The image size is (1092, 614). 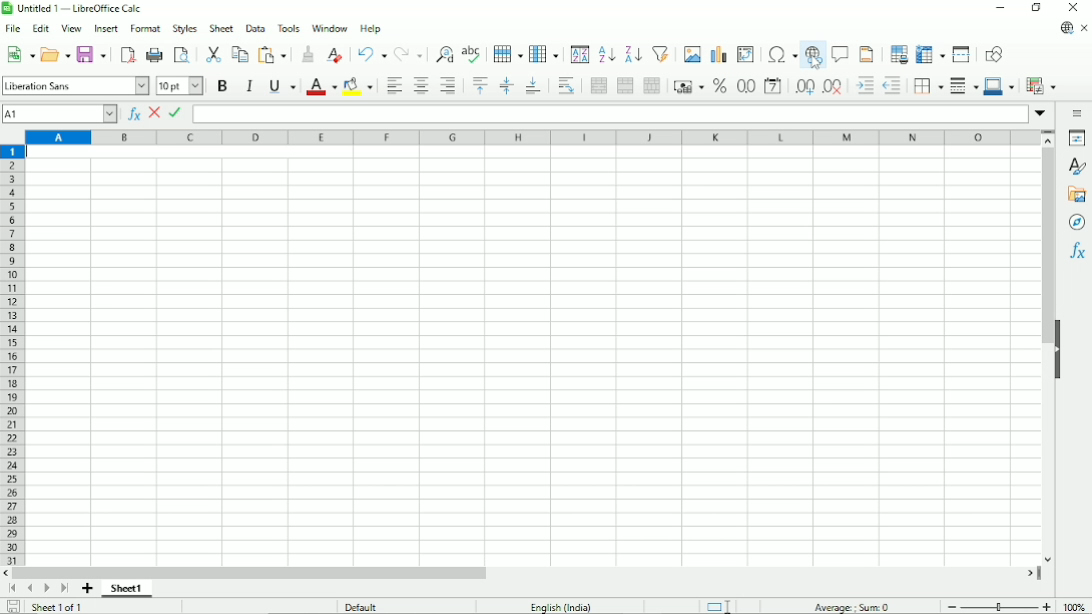 What do you see at coordinates (1059, 352) in the screenshot?
I see `Hide` at bounding box center [1059, 352].